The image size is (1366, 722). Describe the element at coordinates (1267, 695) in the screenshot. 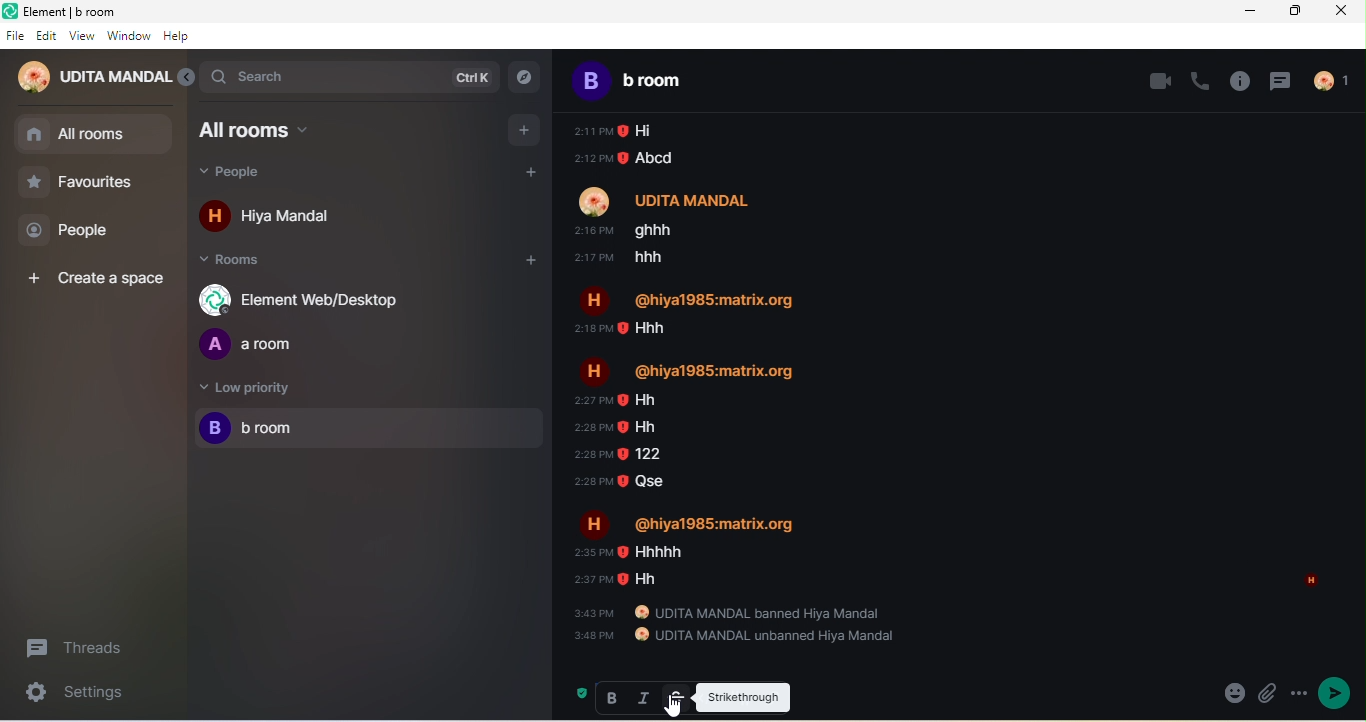

I see `emoji` at that location.